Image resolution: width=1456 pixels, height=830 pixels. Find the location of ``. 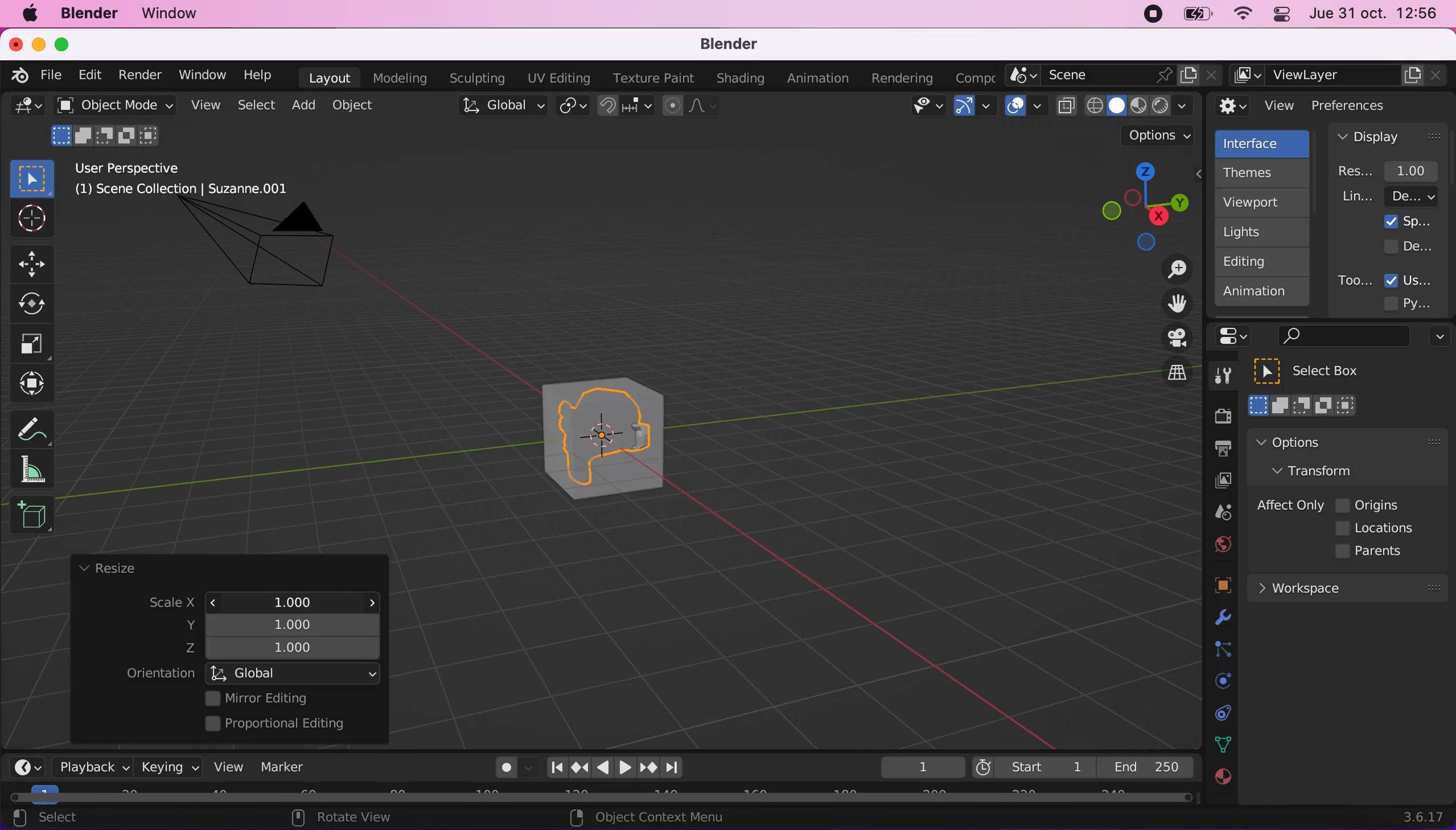

 is located at coordinates (38, 304).